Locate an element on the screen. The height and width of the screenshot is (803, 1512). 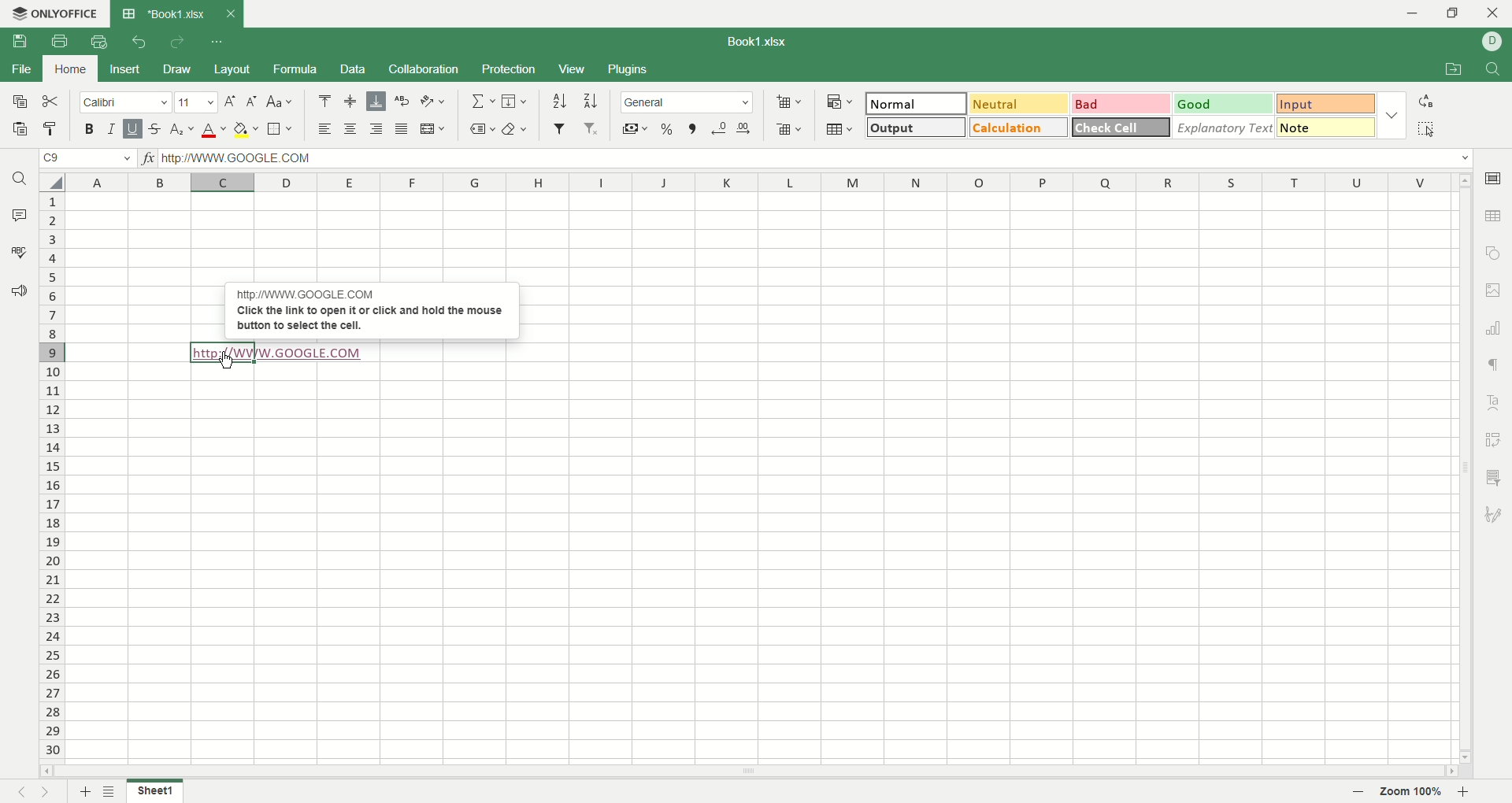
comma style is located at coordinates (693, 128).